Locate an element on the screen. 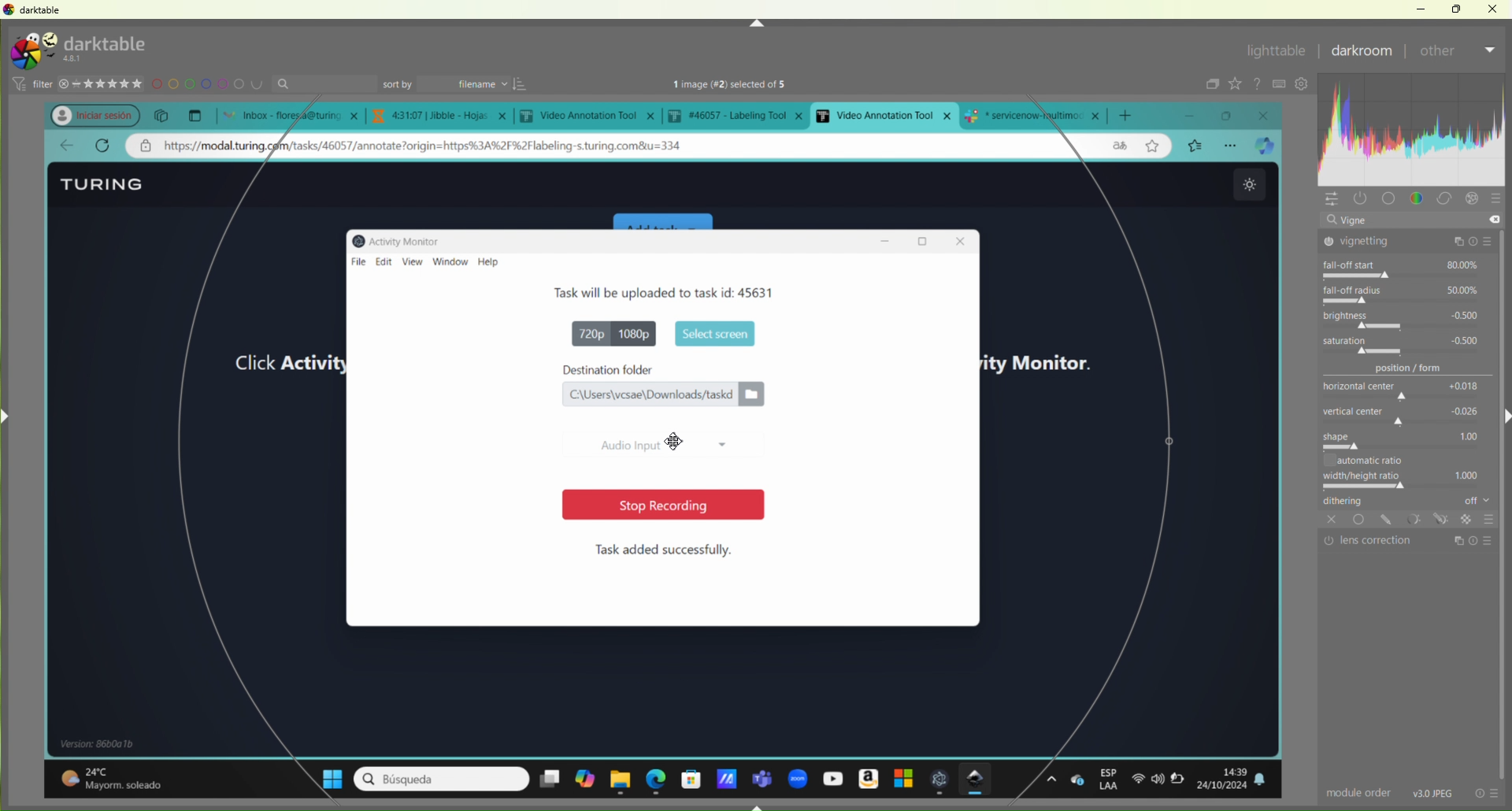 The width and height of the screenshot is (1512, 811). fall-off radius is located at coordinates (1405, 294).